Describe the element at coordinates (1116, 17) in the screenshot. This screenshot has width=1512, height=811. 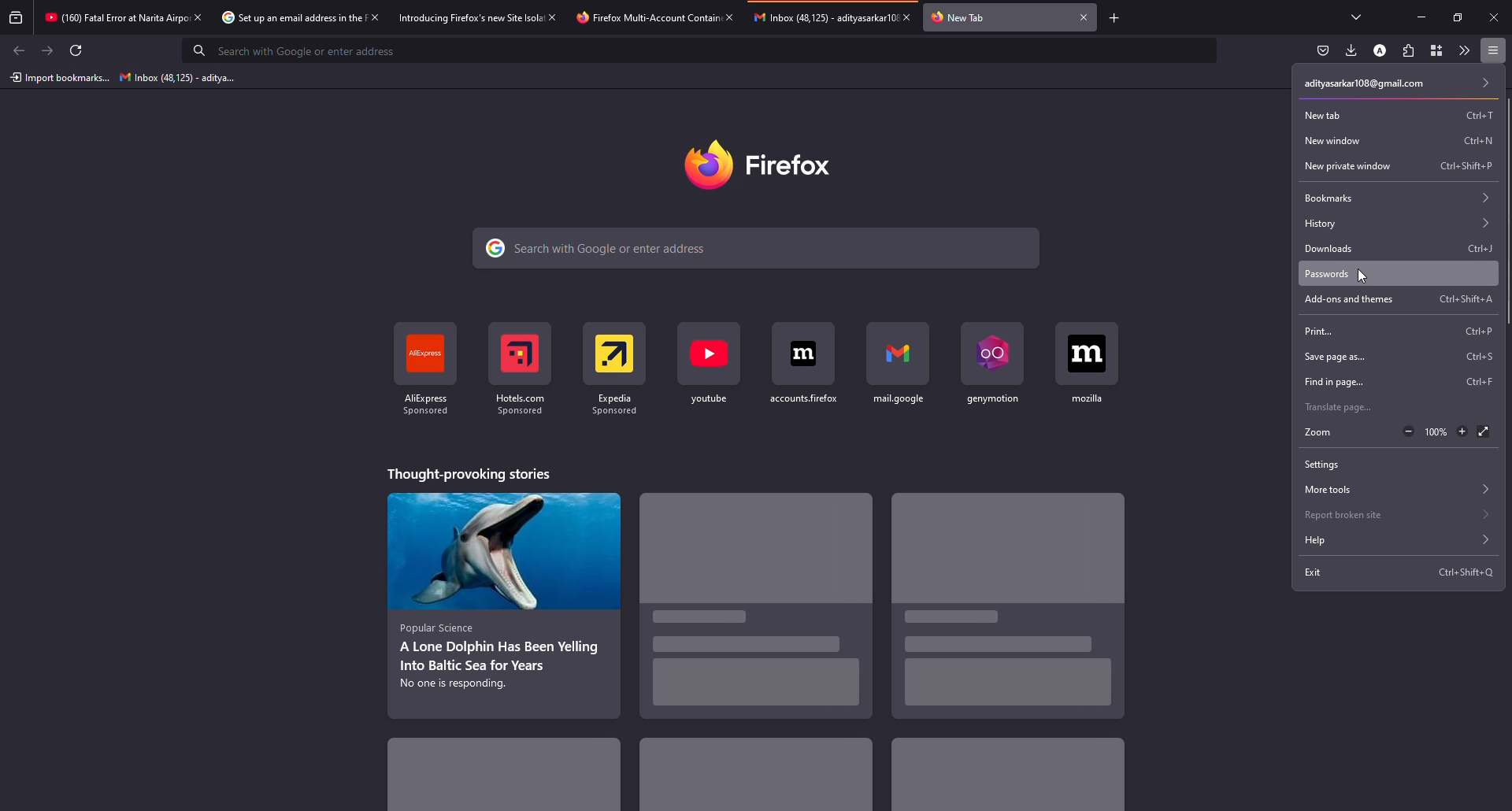
I see `add tab` at that location.